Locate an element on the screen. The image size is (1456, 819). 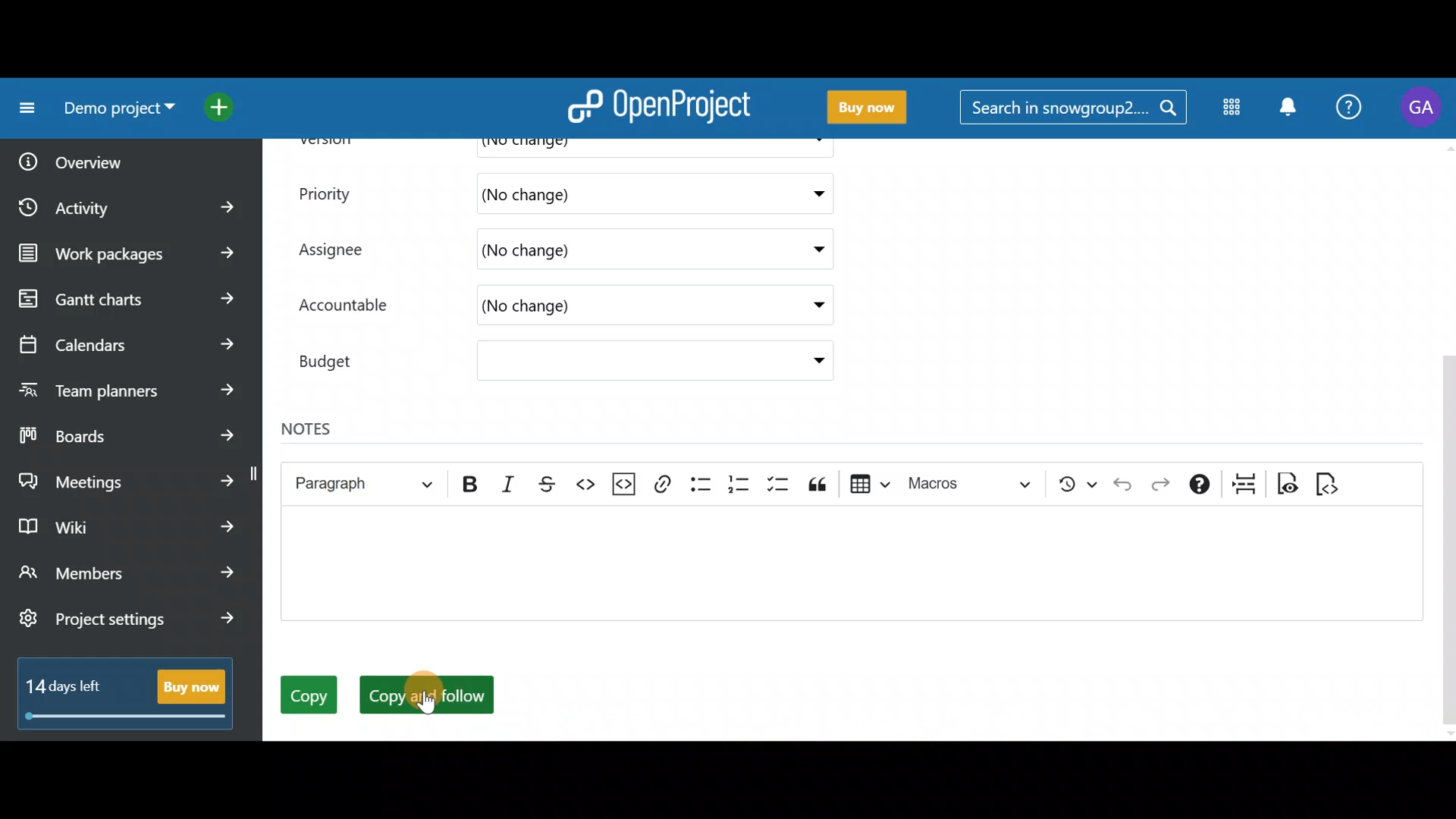
Copy is located at coordinates (311, 692).